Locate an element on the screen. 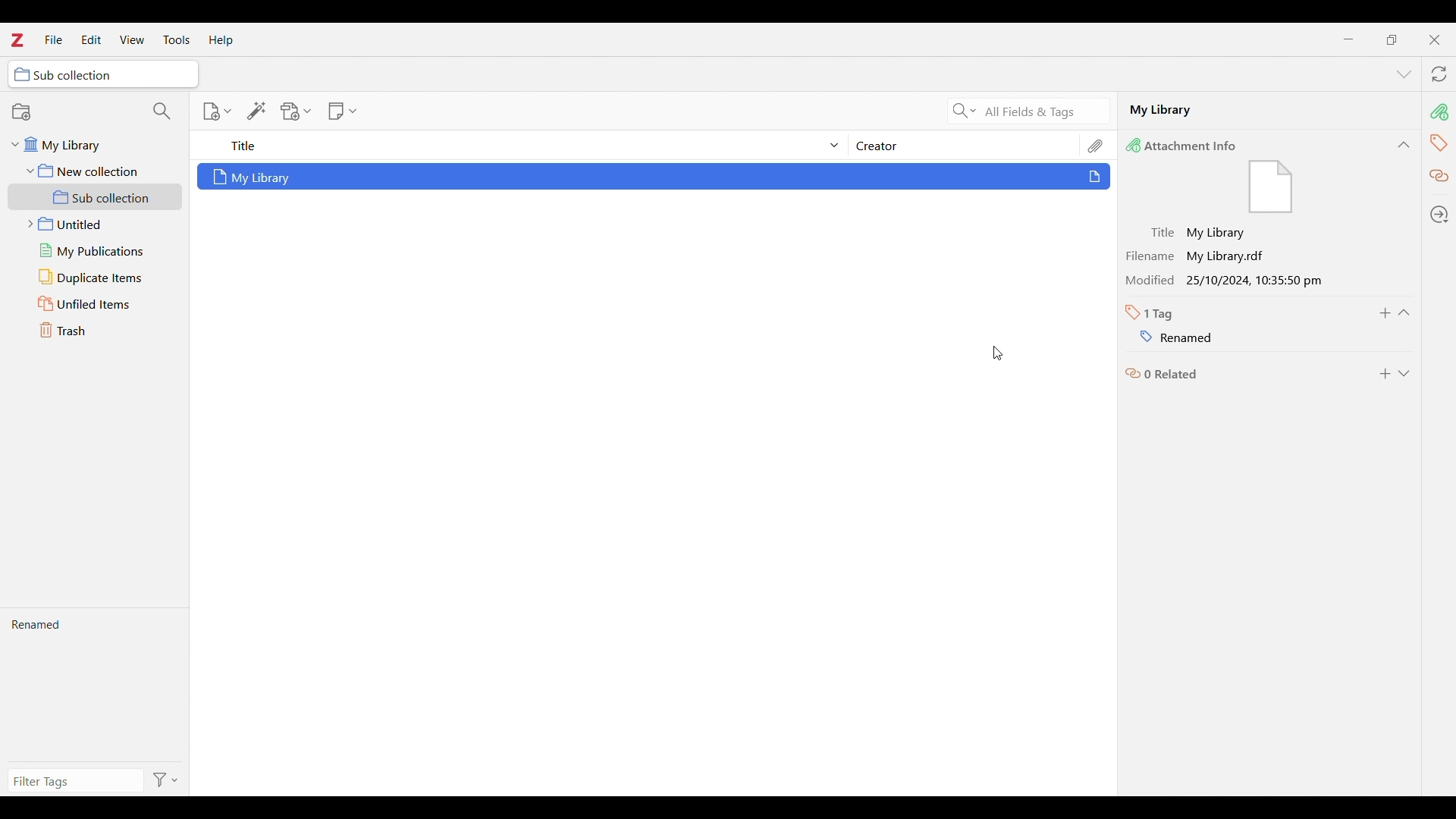  Filter collections is located at coordinates (162, 111).